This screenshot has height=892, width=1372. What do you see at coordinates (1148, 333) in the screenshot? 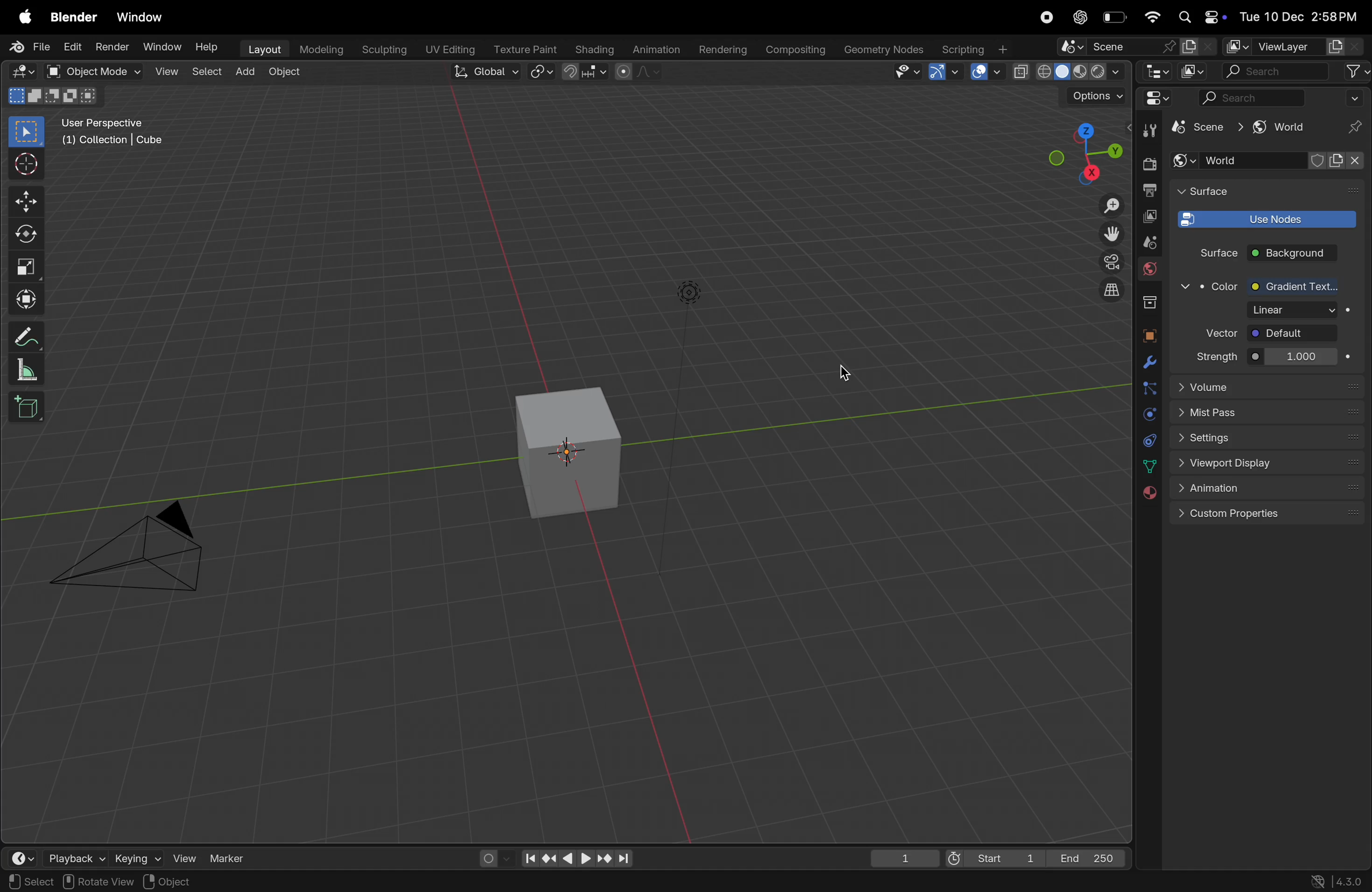
I see `object` at bounding box center [1148, 333].